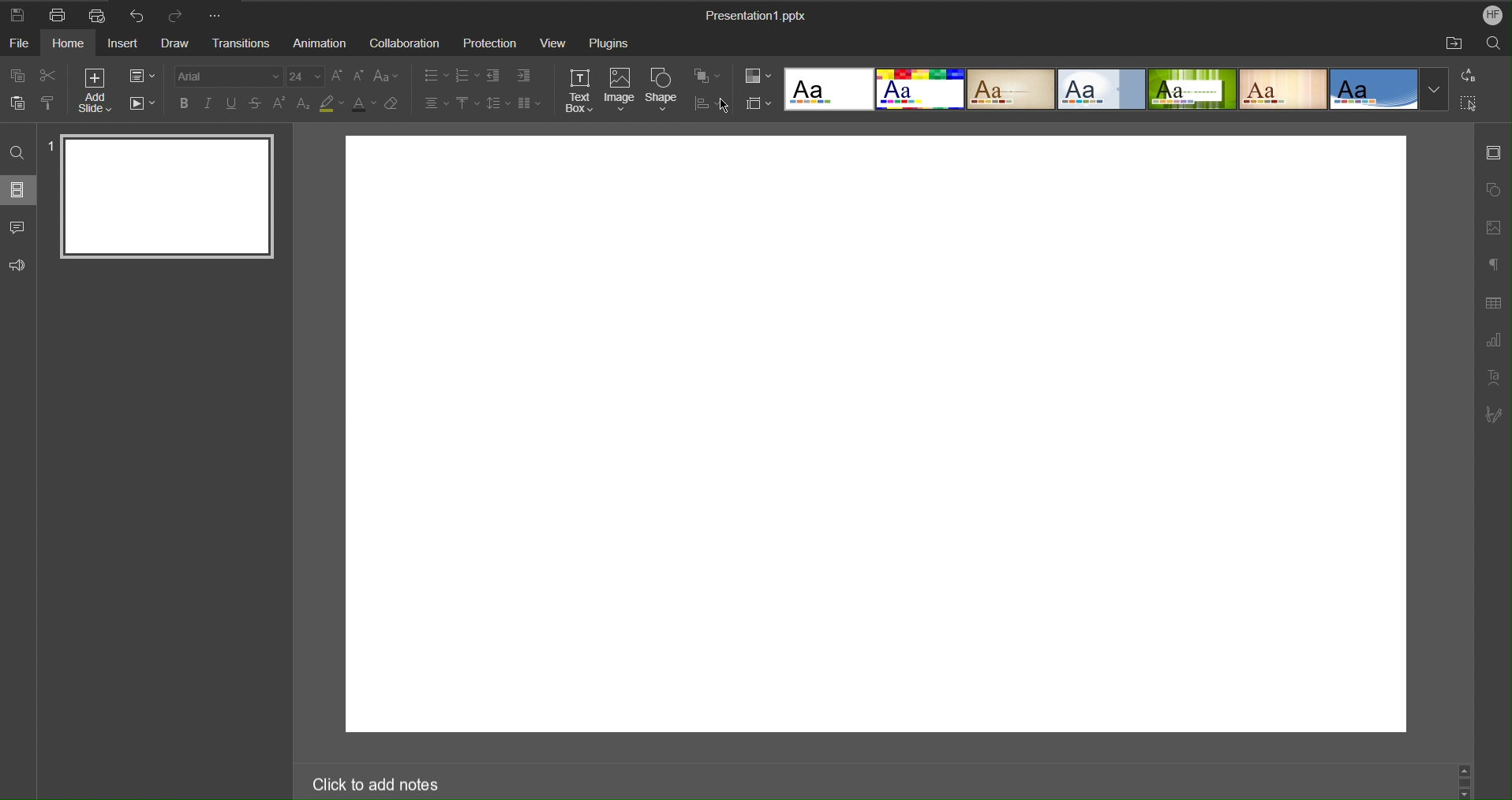 This screenshot has width=1512, height=800. Describe the element at coordinates (57, 14) in the screenshot. I see `Print` at that location.